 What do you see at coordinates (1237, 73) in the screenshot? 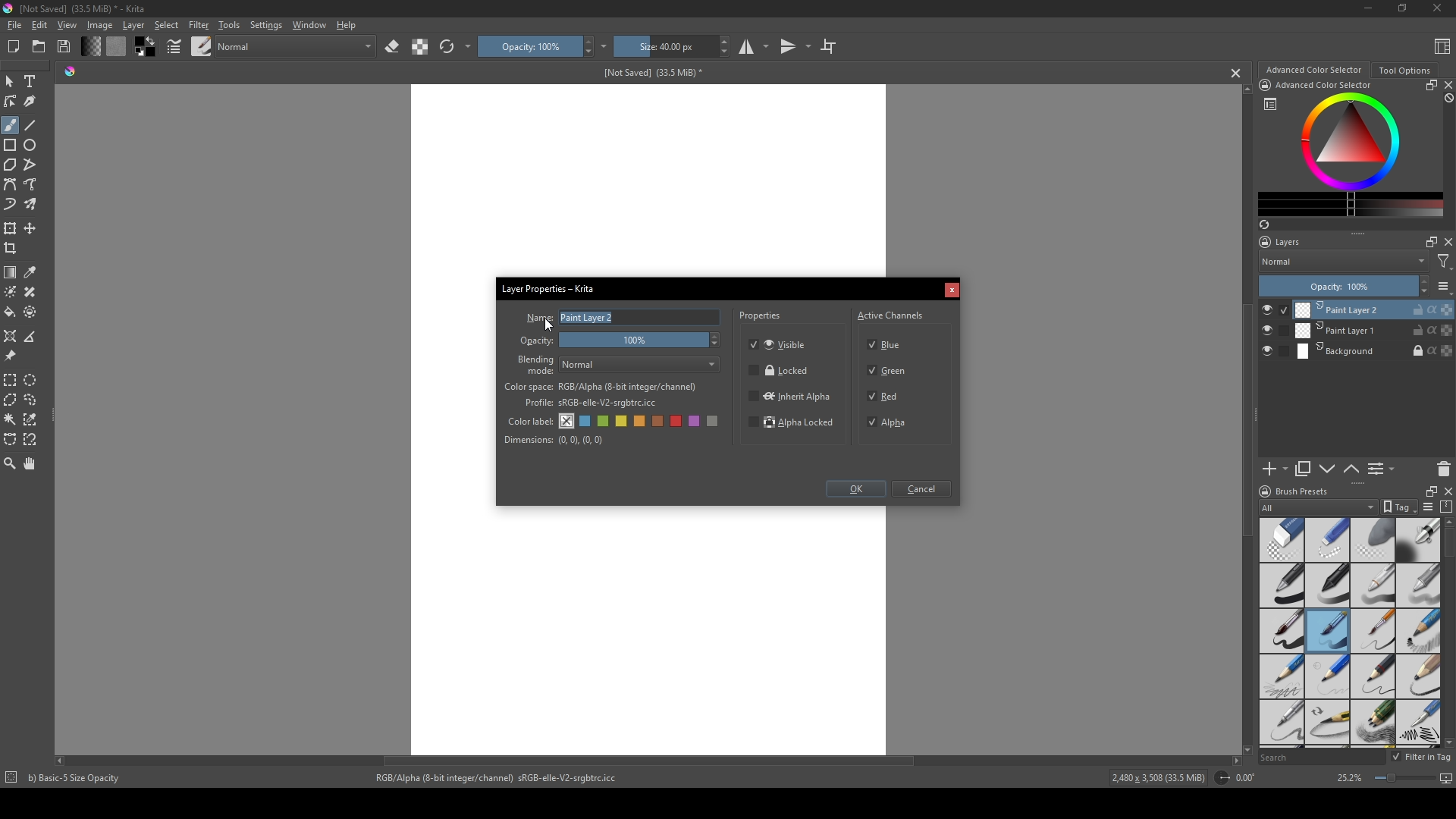
I see `cancel` at bounding box center [1237, 73].